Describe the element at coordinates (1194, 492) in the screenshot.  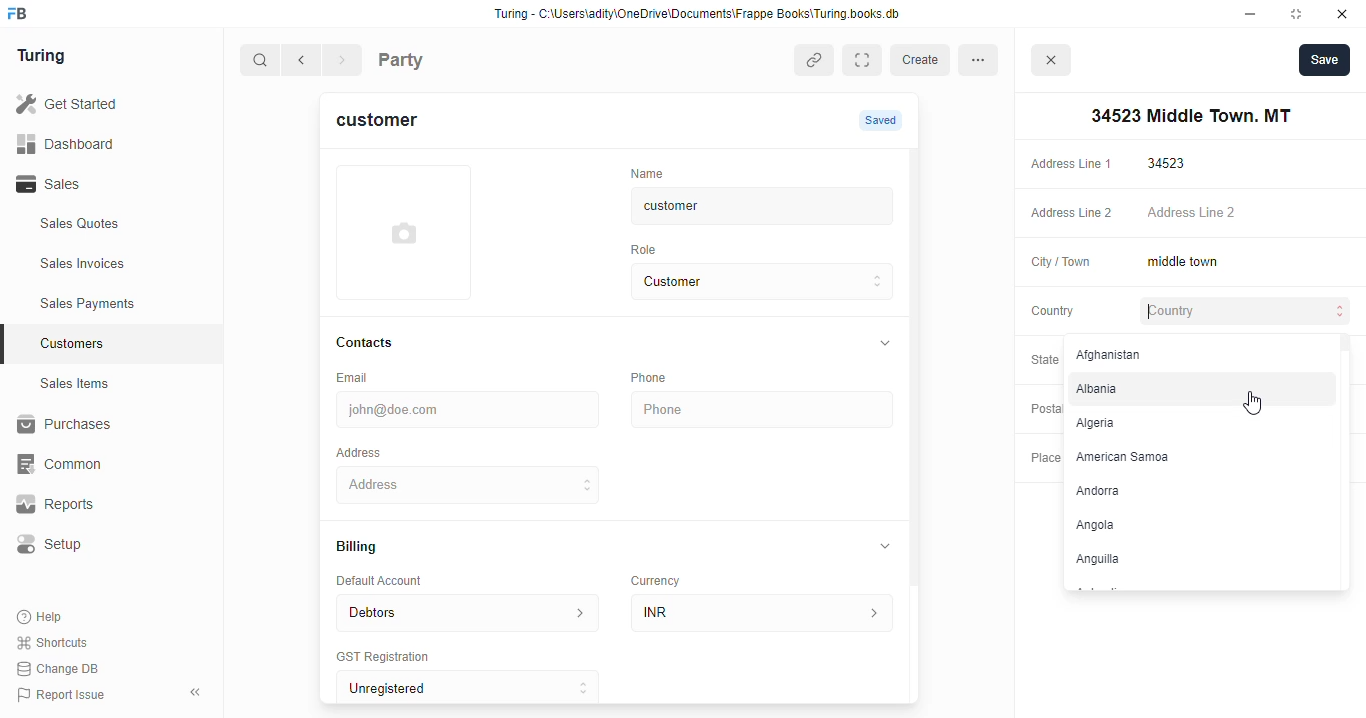
I see `‘Andorra` at that location.